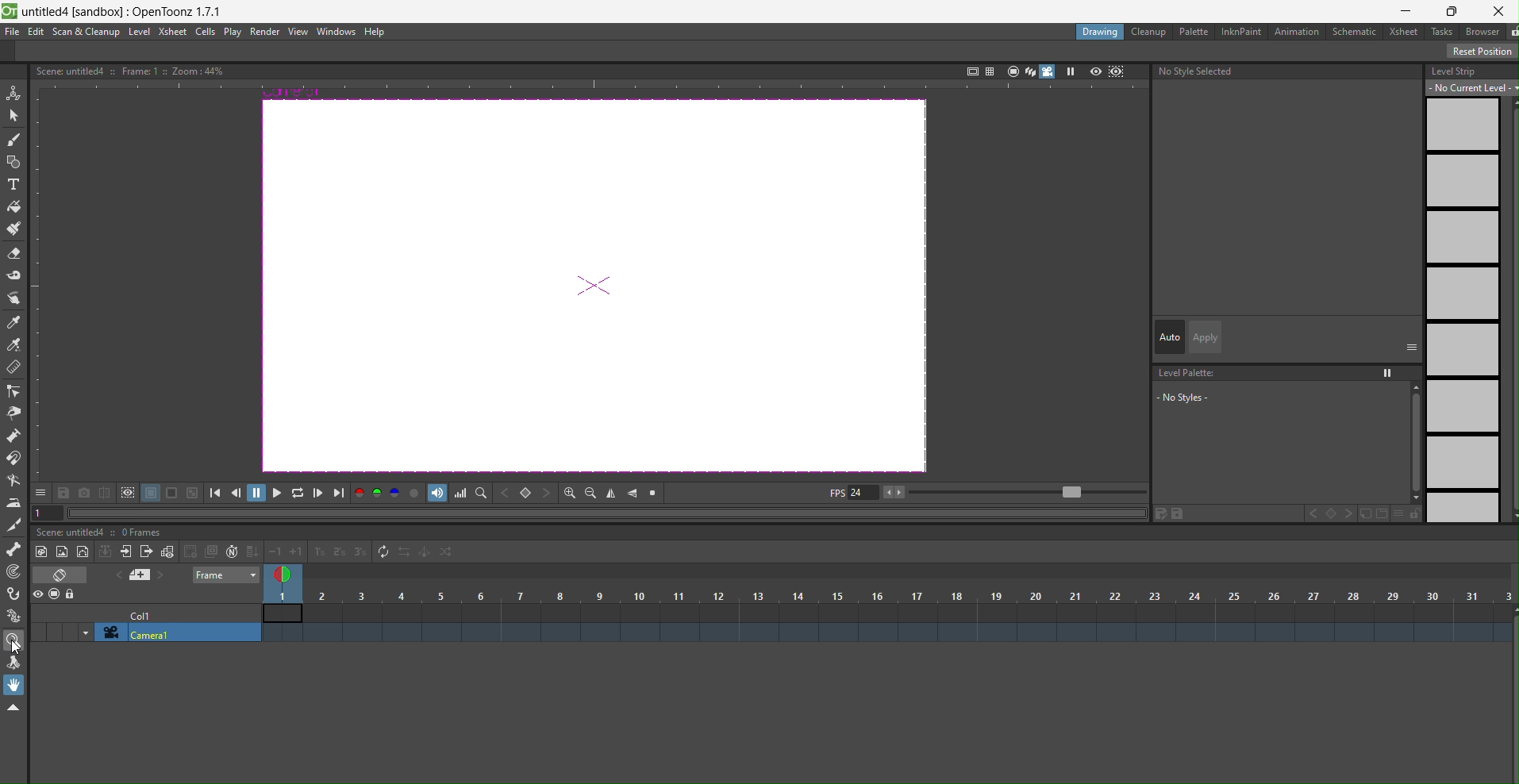 The width and height of the screenshot is (1519, 784). Describe the element at coordinates (1050, 73) in the screenshot. I see `camera toggle view` at that location.